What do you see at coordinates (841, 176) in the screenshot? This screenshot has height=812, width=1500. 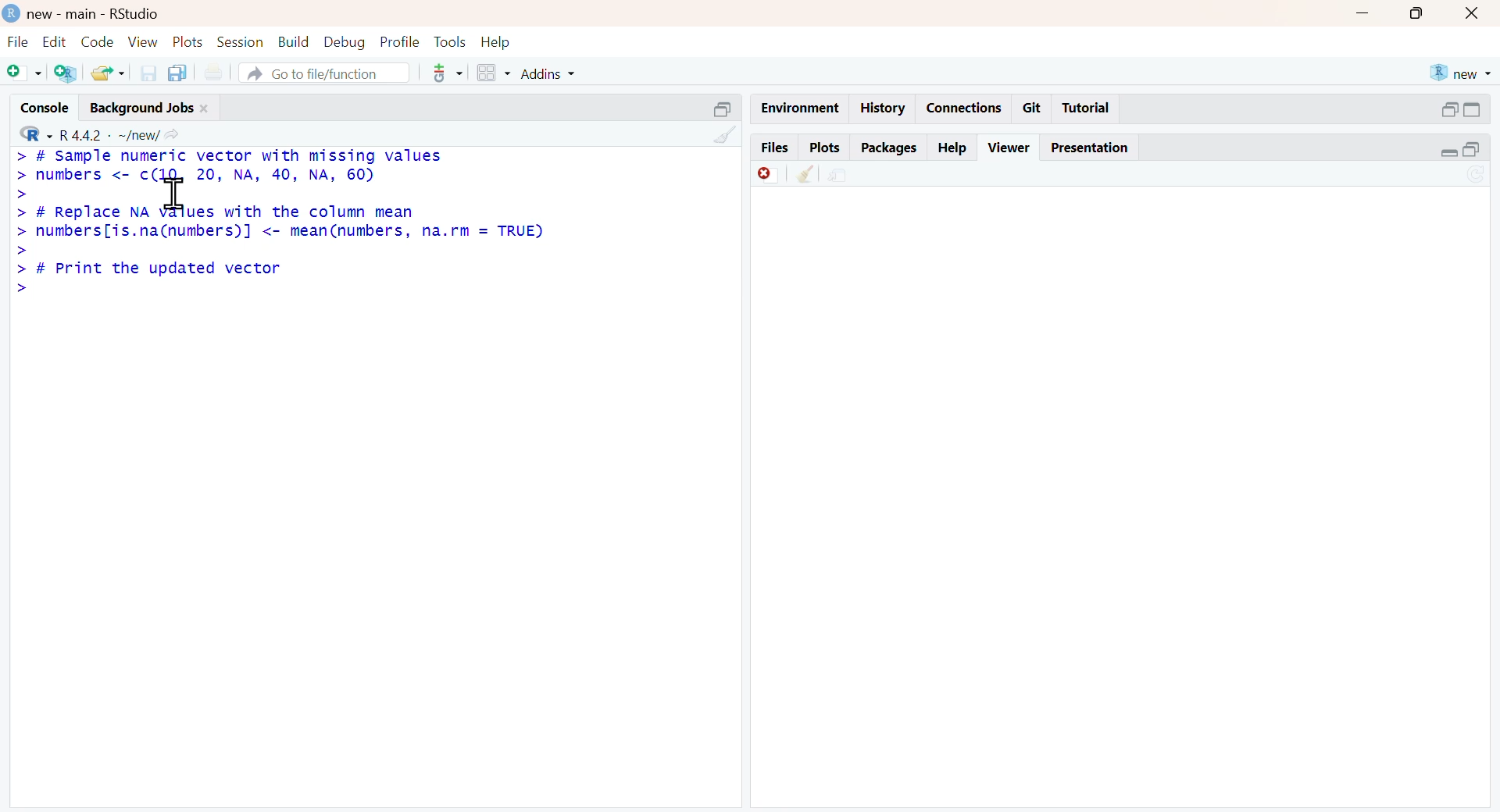 I see `share file` at bounding box center [841, 176].